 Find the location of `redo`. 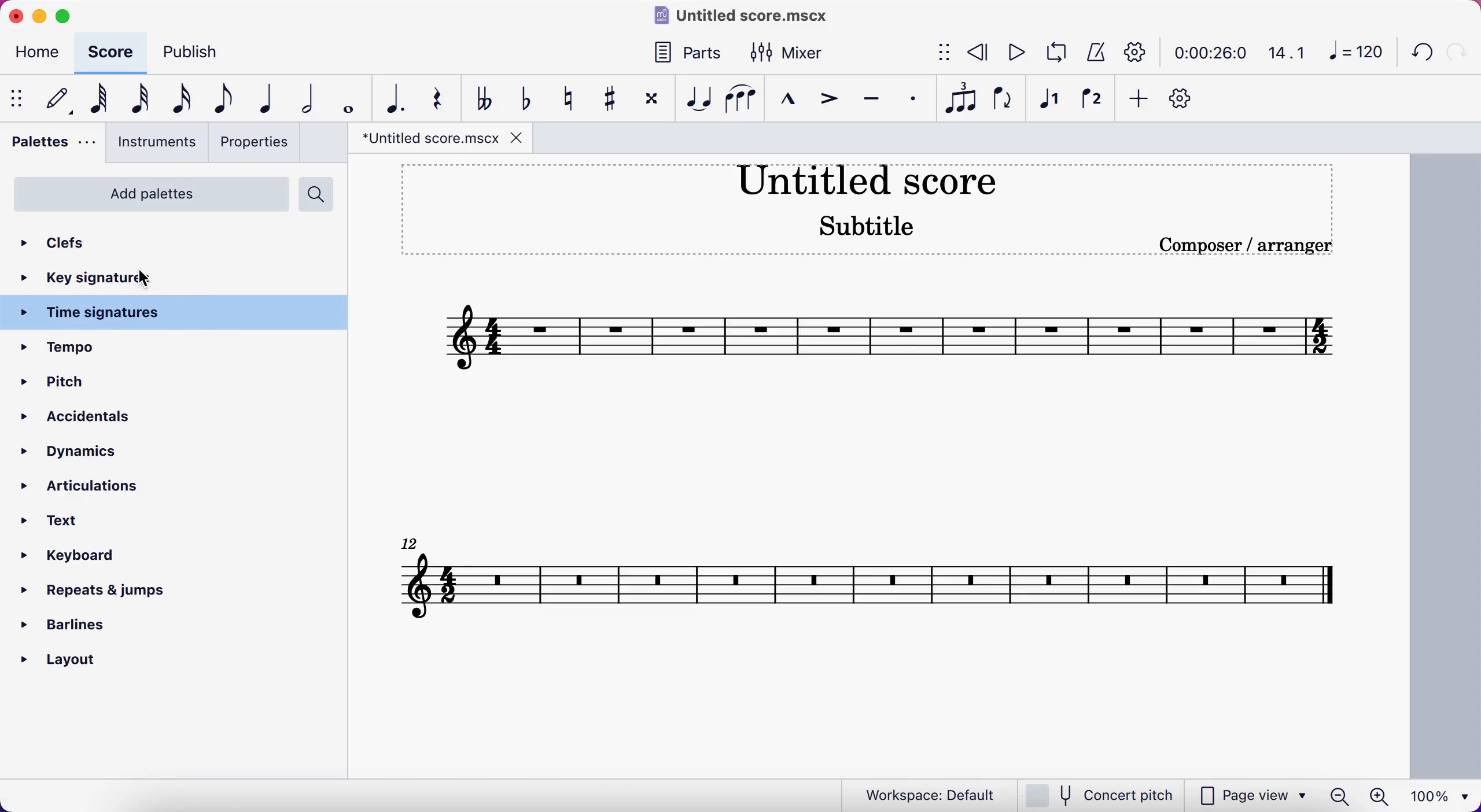

redo is located at coordinates (1457, 53).